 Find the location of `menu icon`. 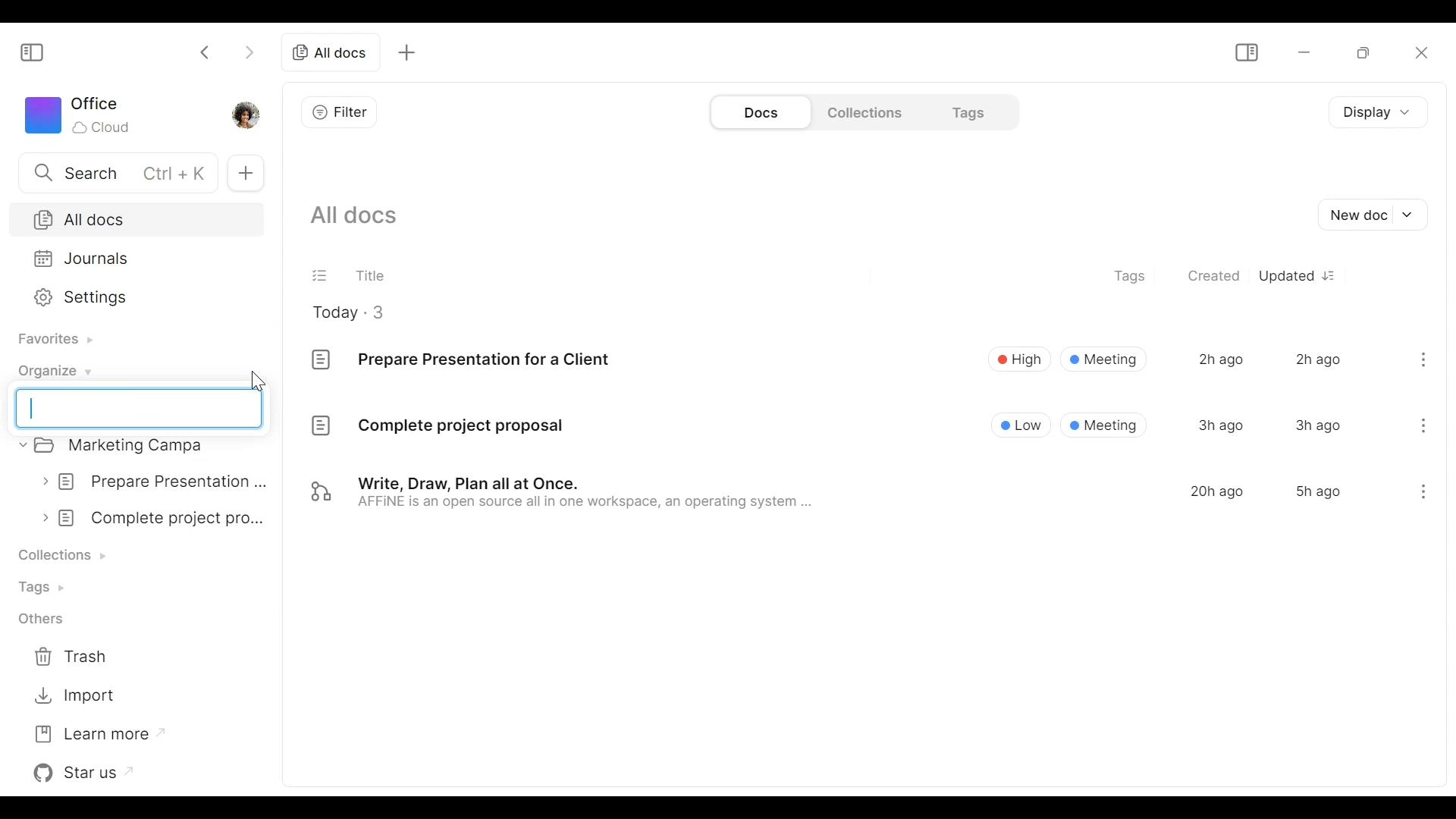

menu icon is located at coordinates (1421, 494).